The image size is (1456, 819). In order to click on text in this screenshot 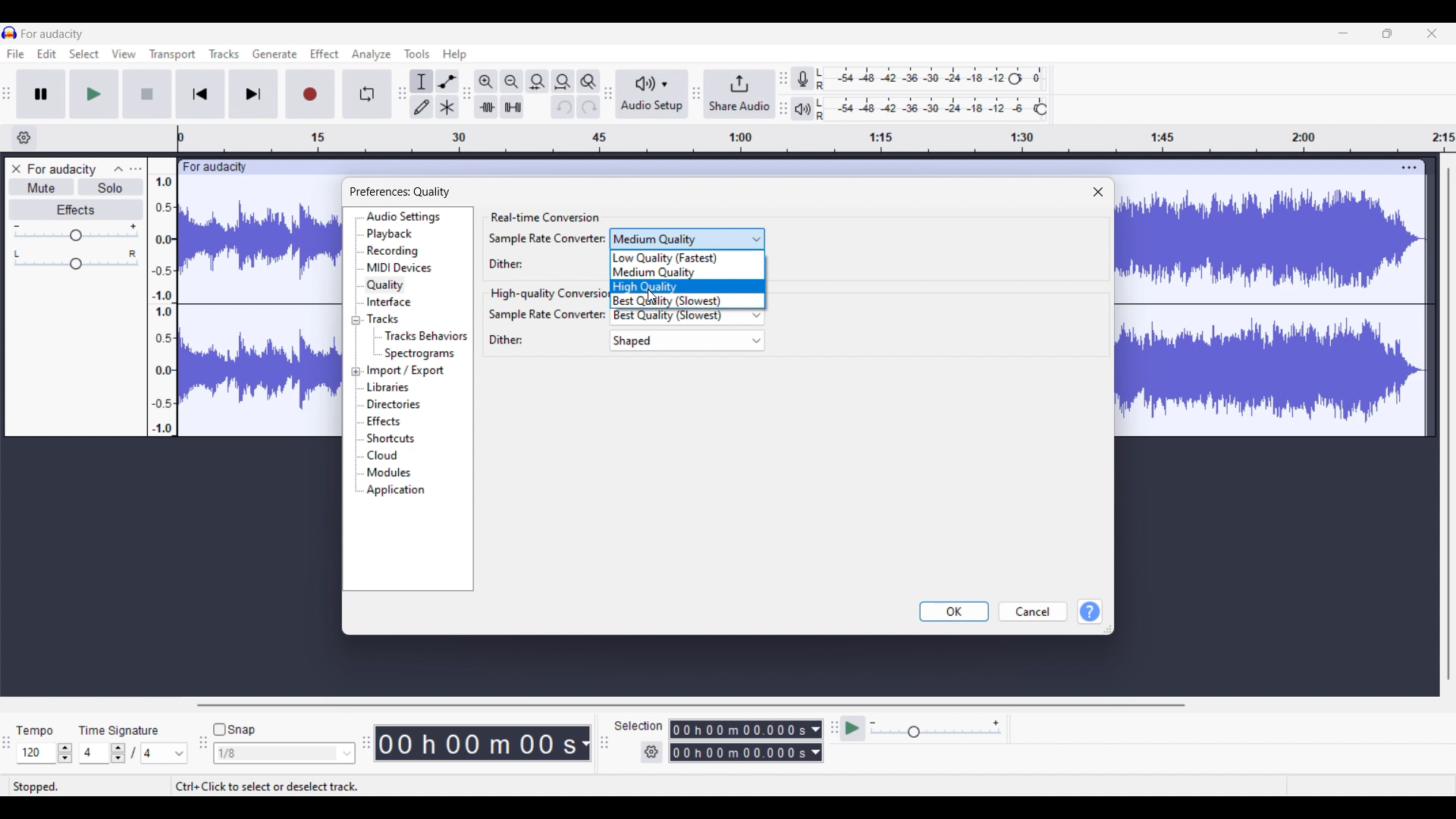, I will do `click(508, 340)`.